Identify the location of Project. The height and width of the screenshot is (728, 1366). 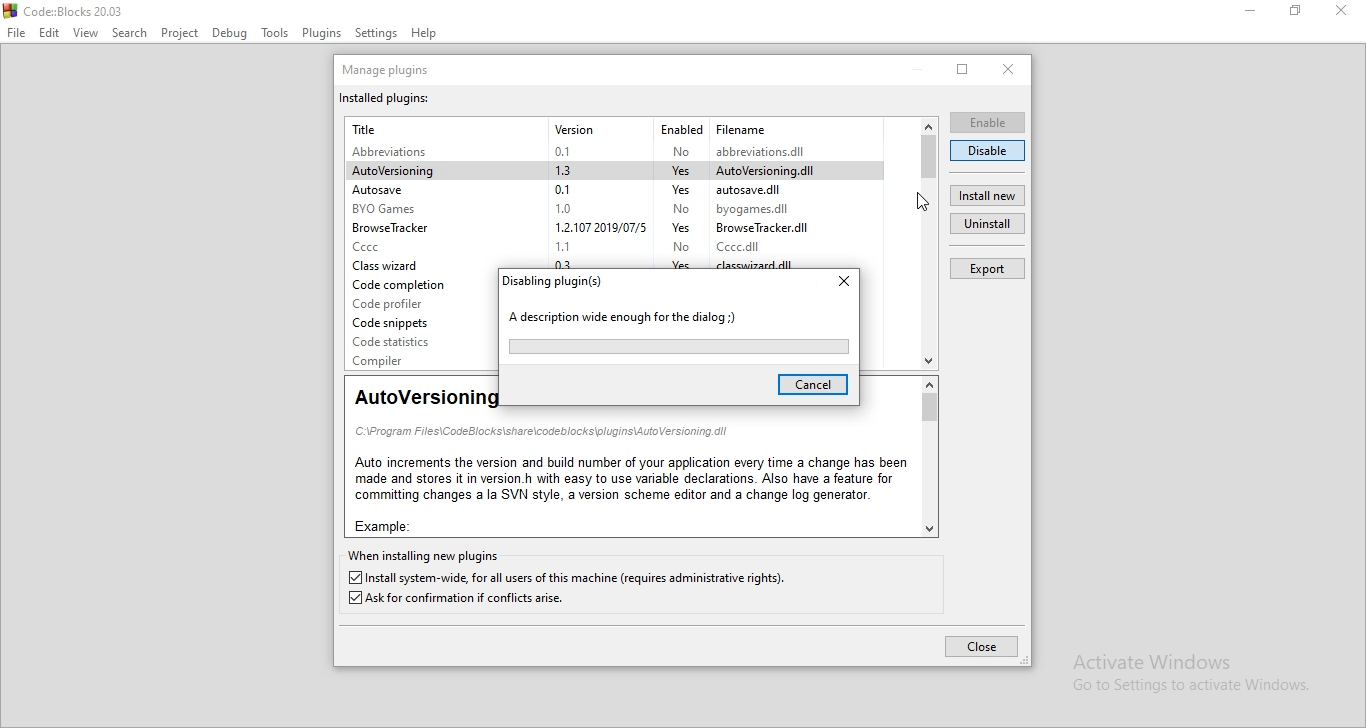
(179, 33).